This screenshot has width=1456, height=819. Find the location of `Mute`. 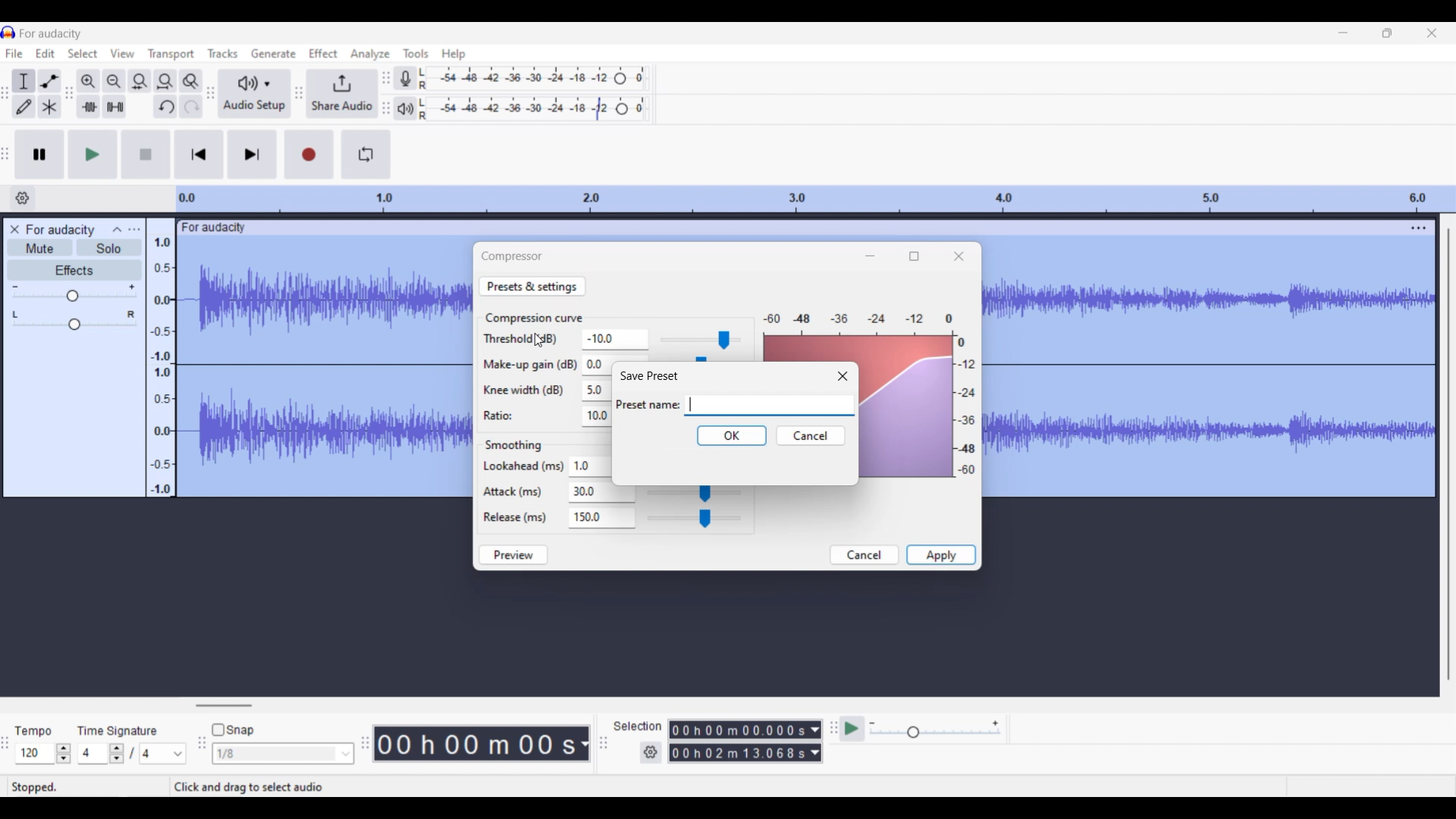

Mute is located at coordinates (39, 247).